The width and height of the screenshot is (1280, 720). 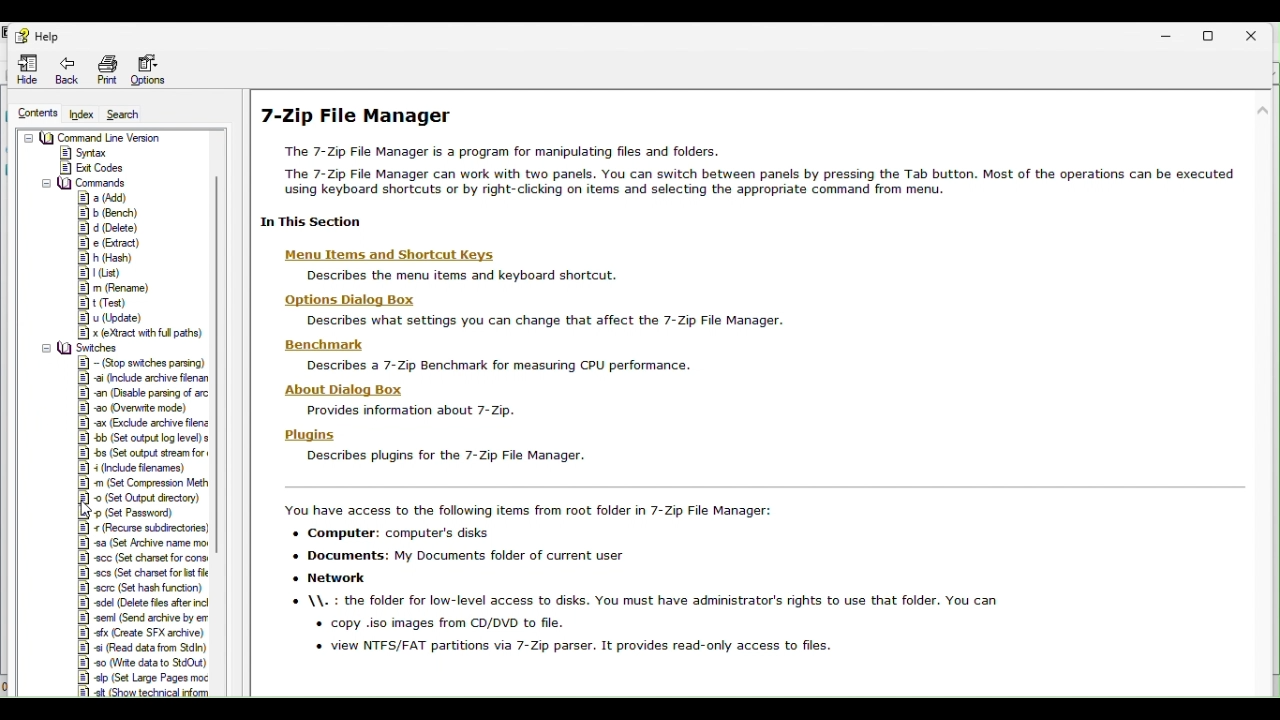 What do you see at coordinates (141, 589) in the screenshot?
I see `That has function` at bounding box center [141, 589].